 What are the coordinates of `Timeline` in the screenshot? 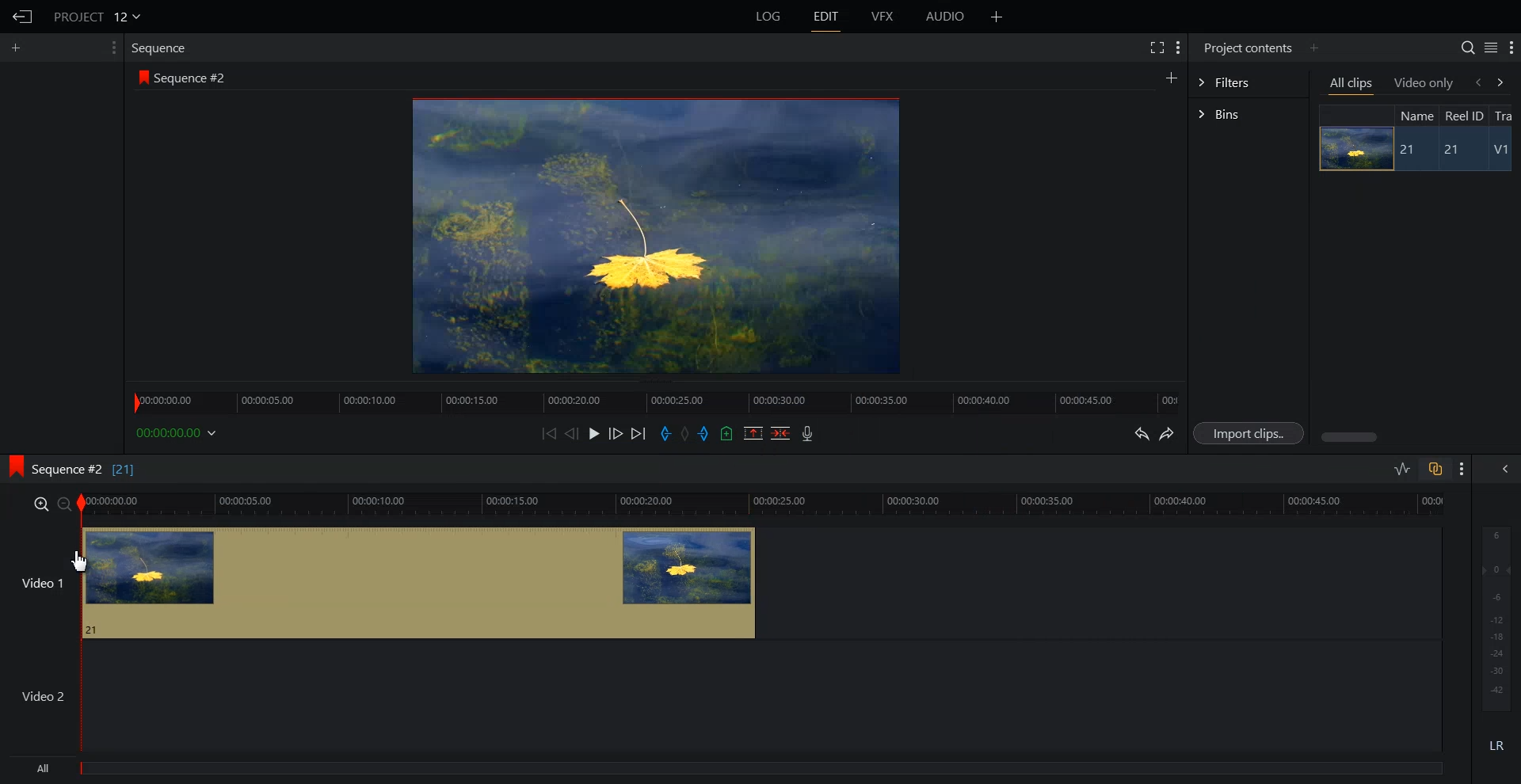 It's located at (655, 398).